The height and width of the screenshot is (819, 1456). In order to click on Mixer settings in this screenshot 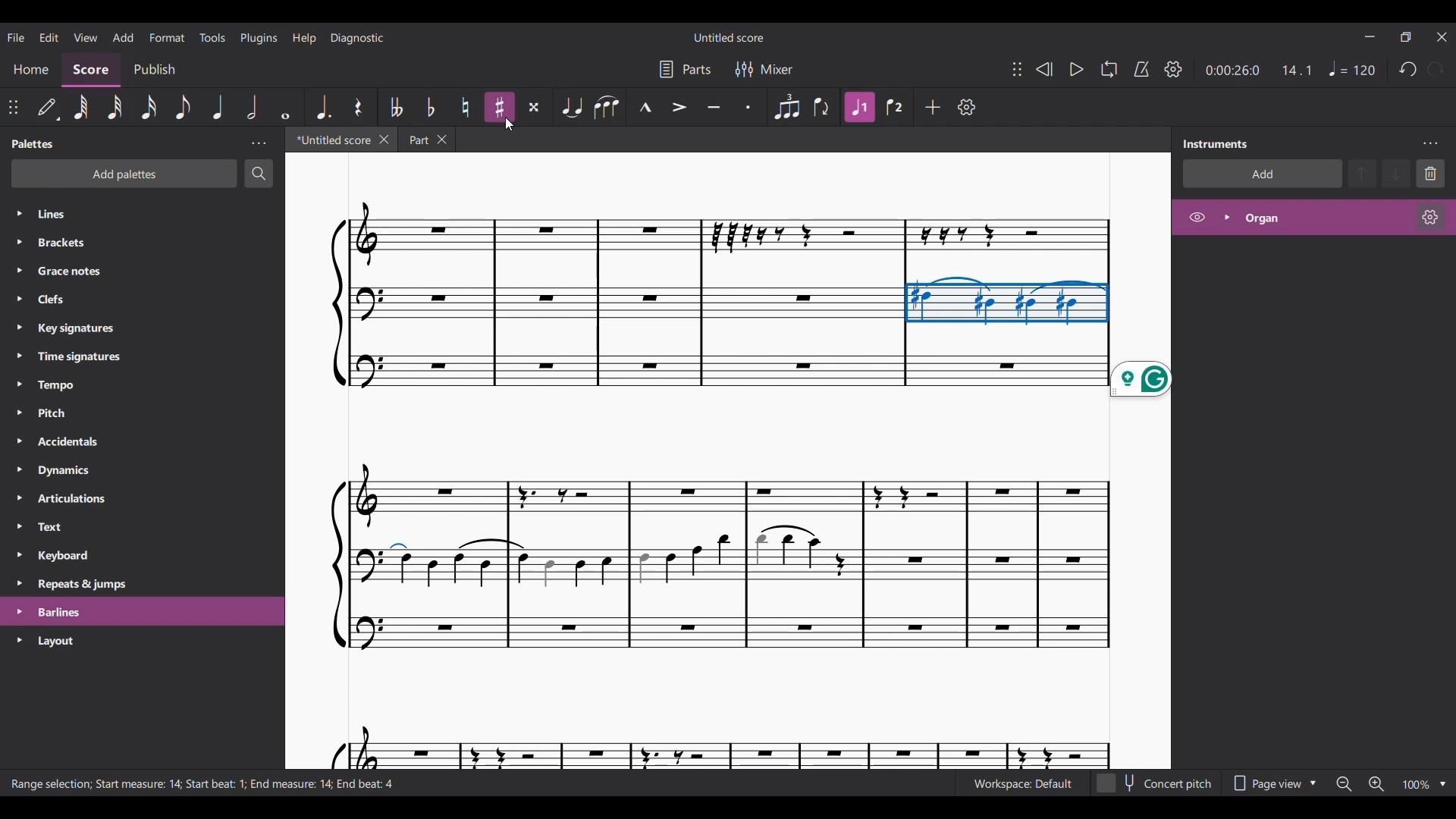, I will do `click(766, 69)`.